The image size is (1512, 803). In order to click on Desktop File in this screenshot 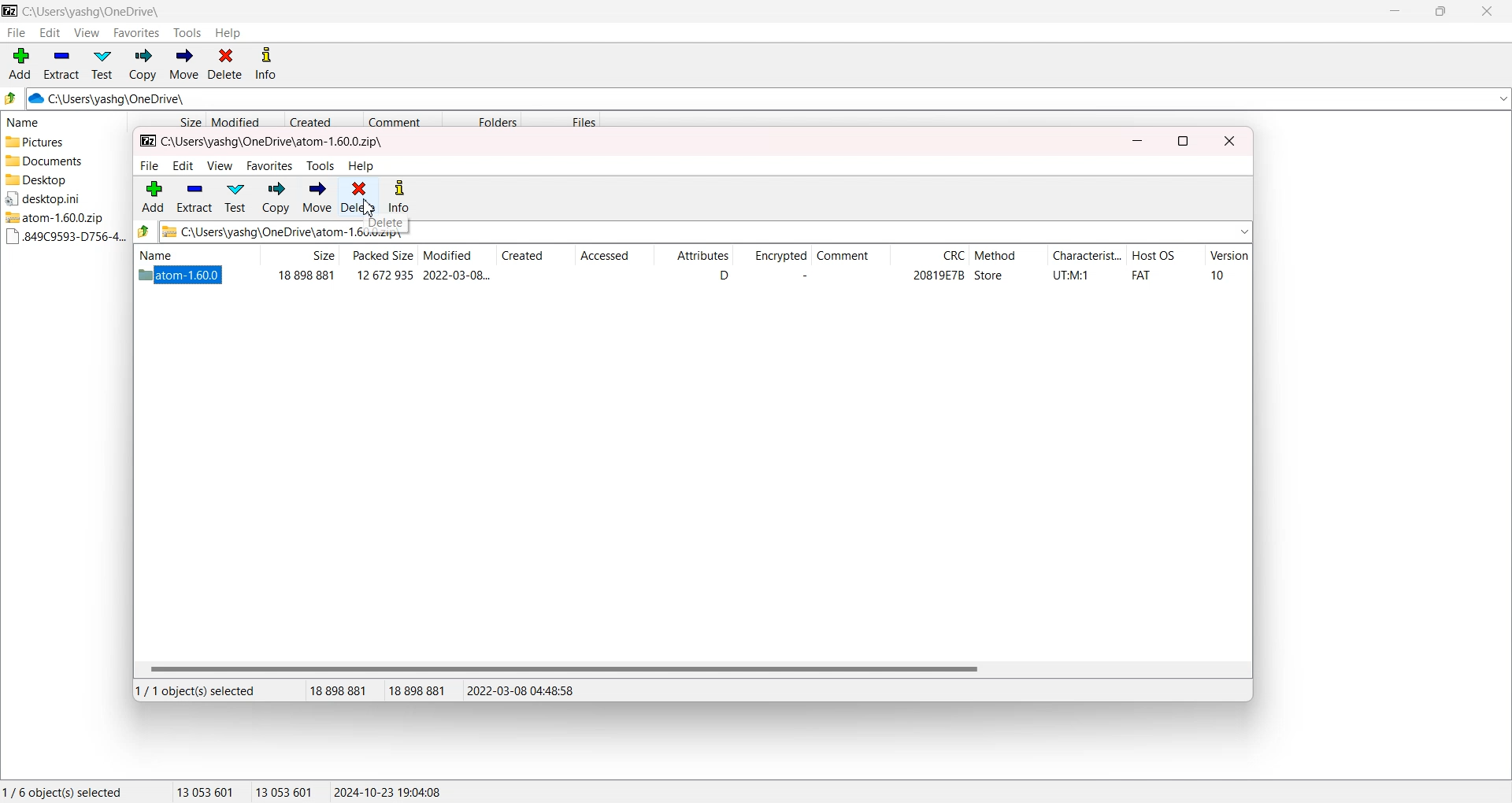, I will do `click(60, 179)`.